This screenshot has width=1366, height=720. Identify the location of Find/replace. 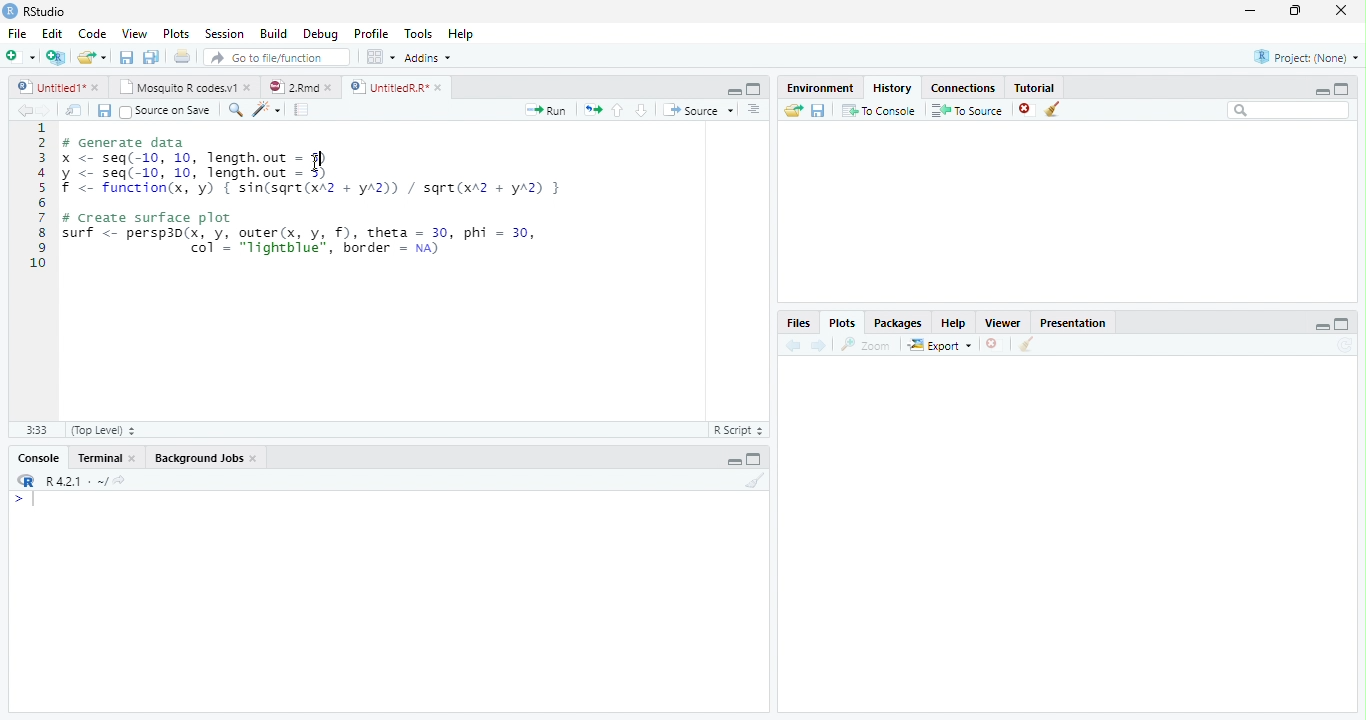
(234, 110).